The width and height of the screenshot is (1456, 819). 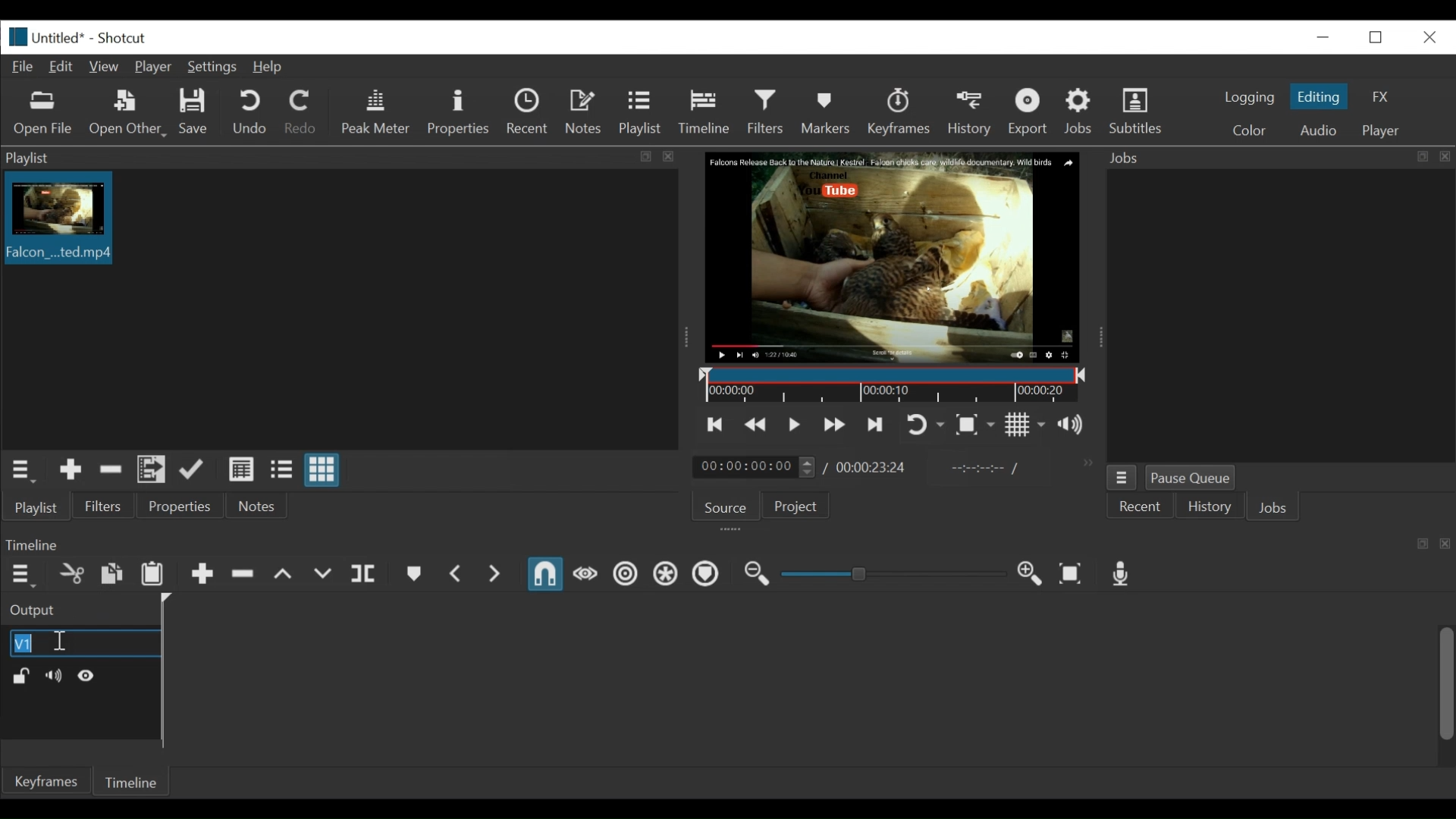 I want to click on Playlist menu, so click(x=20, y=469).